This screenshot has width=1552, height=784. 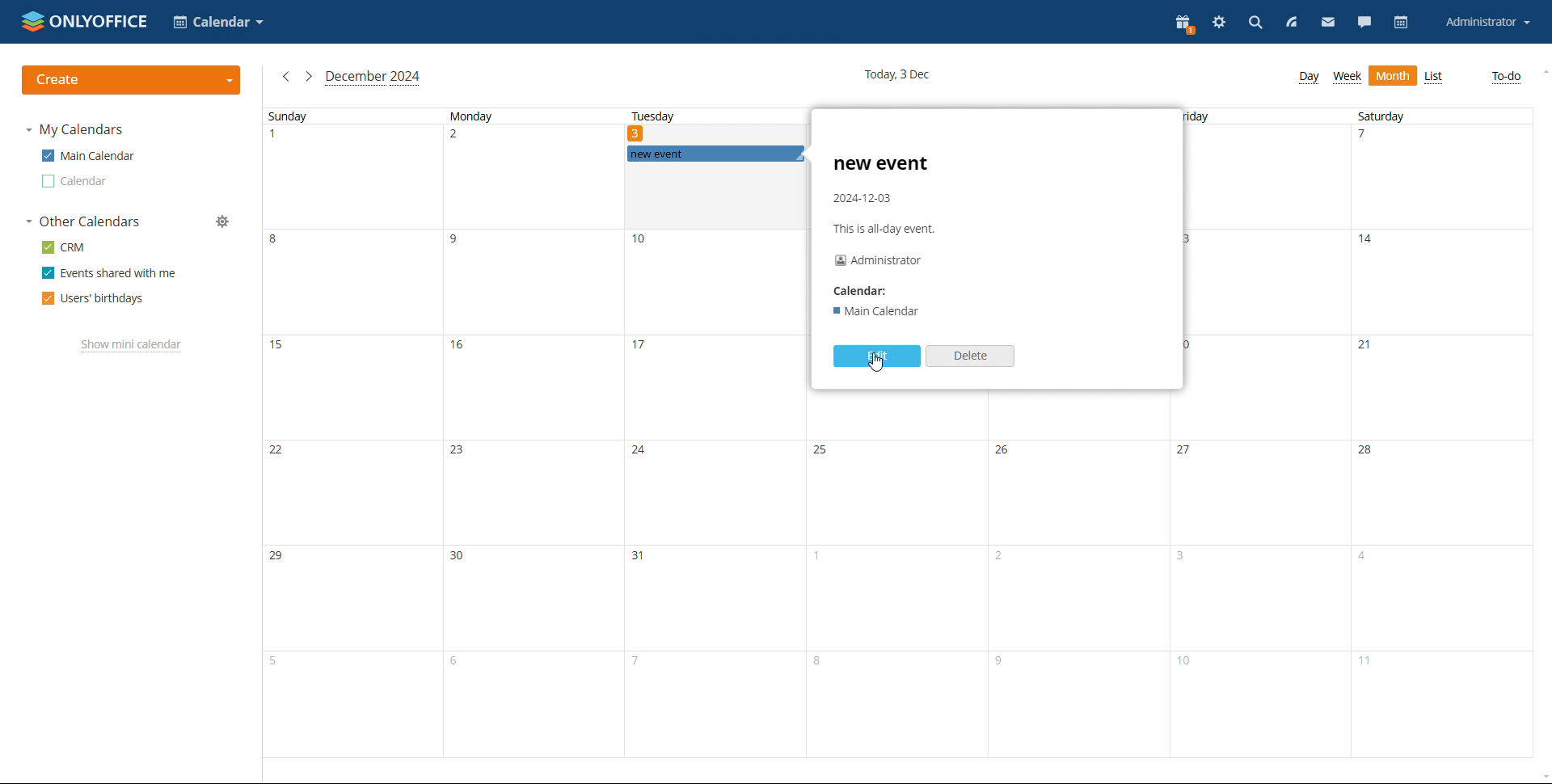 I want to click on day view, so click(x=1311, y=78).